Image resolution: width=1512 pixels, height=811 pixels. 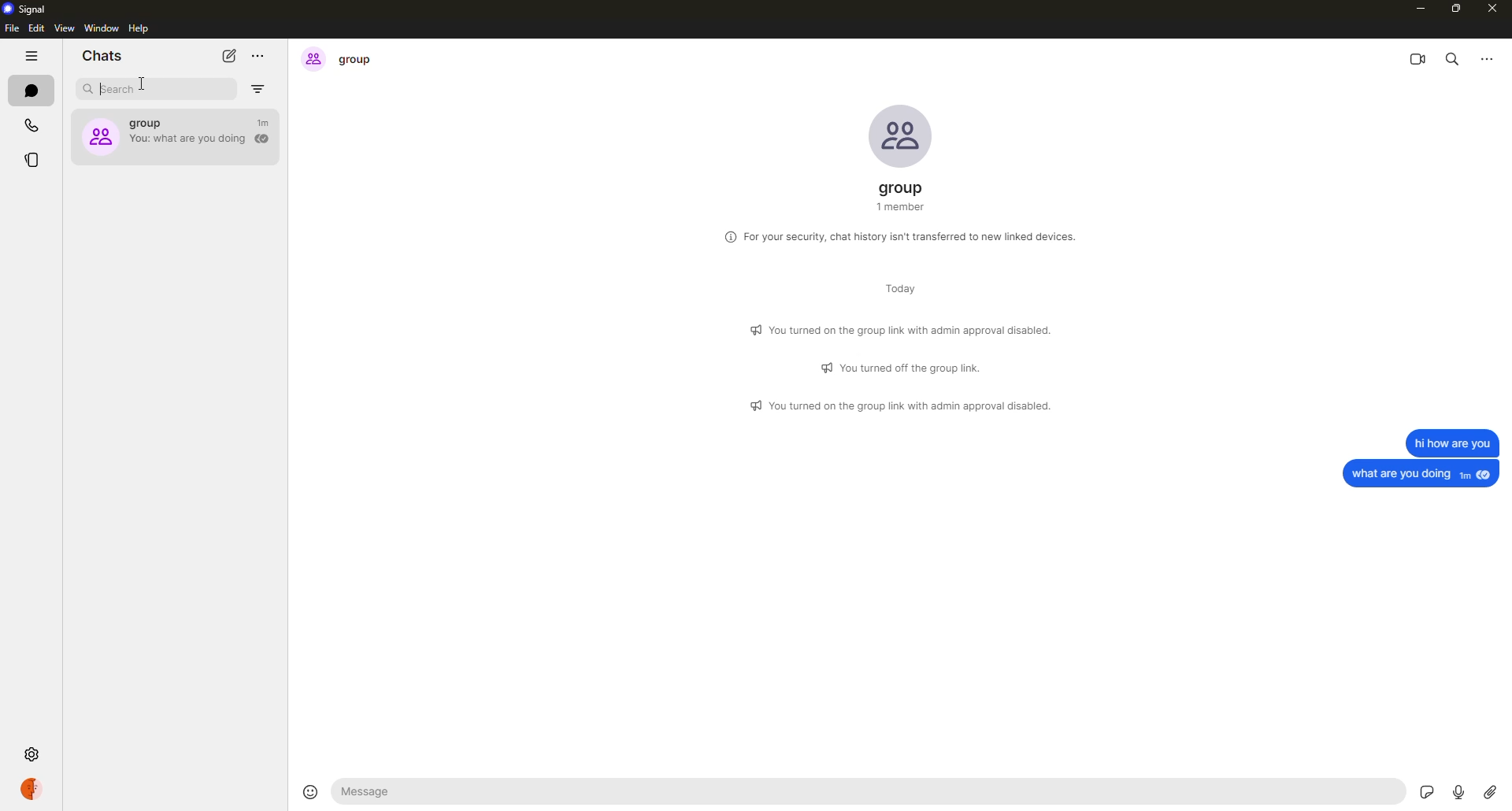 What do you see at coordinates (1491, 10) in the screenshot?
I see `close` at bounding box center [1491, 10].